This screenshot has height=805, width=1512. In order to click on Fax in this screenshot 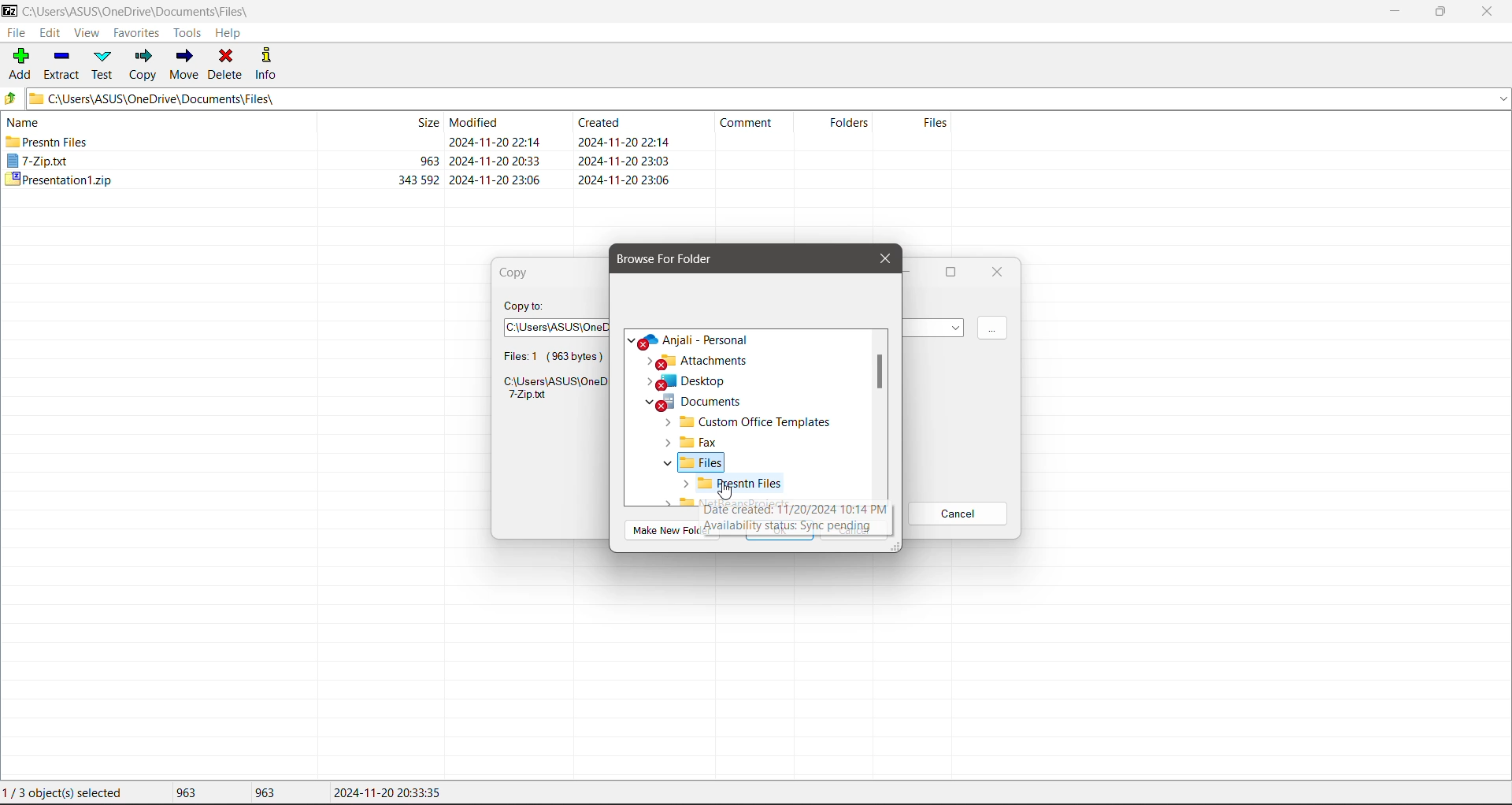, I will do `click(692, 444)`.